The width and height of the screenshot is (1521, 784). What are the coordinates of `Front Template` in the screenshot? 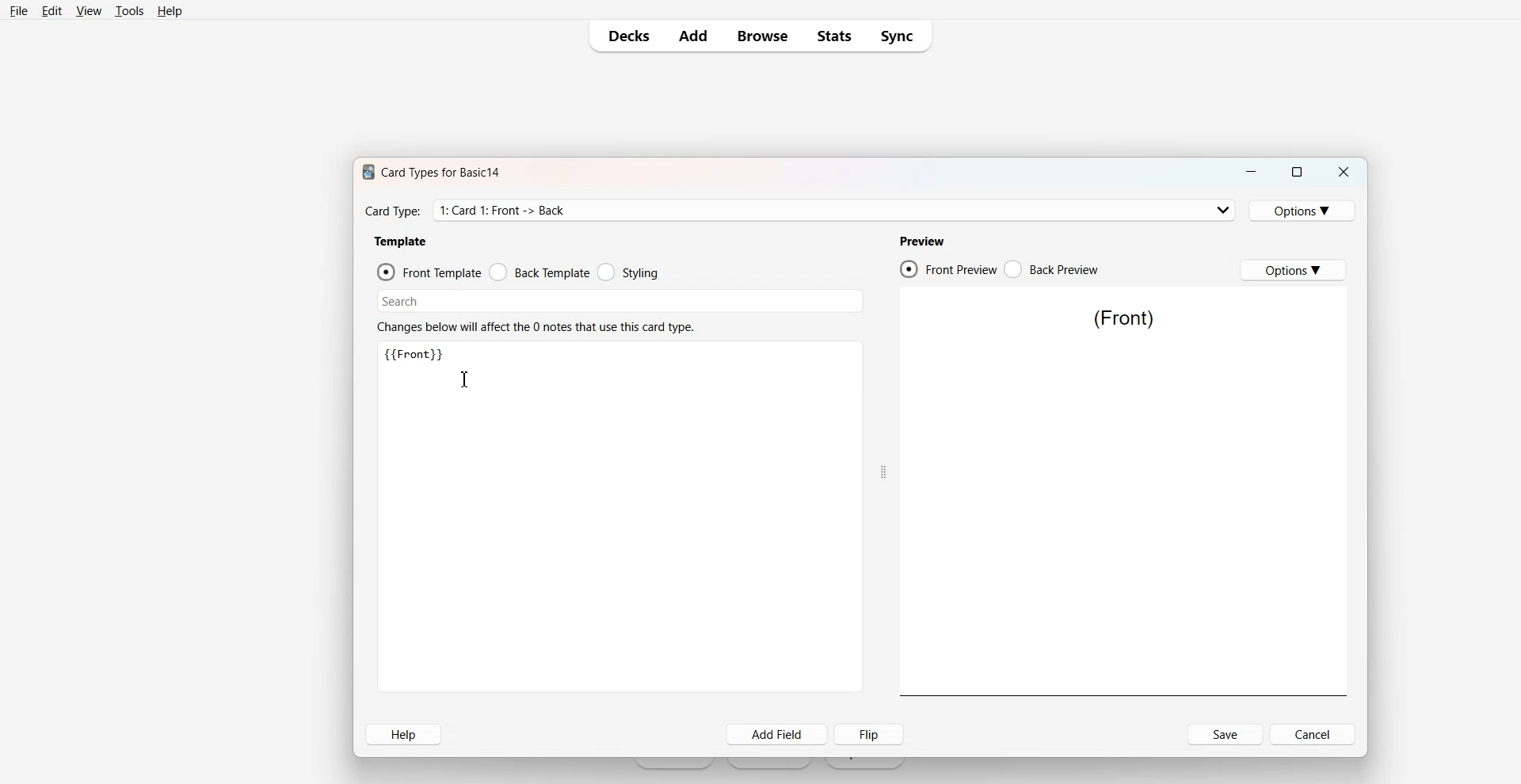 It's located at (429, 272).